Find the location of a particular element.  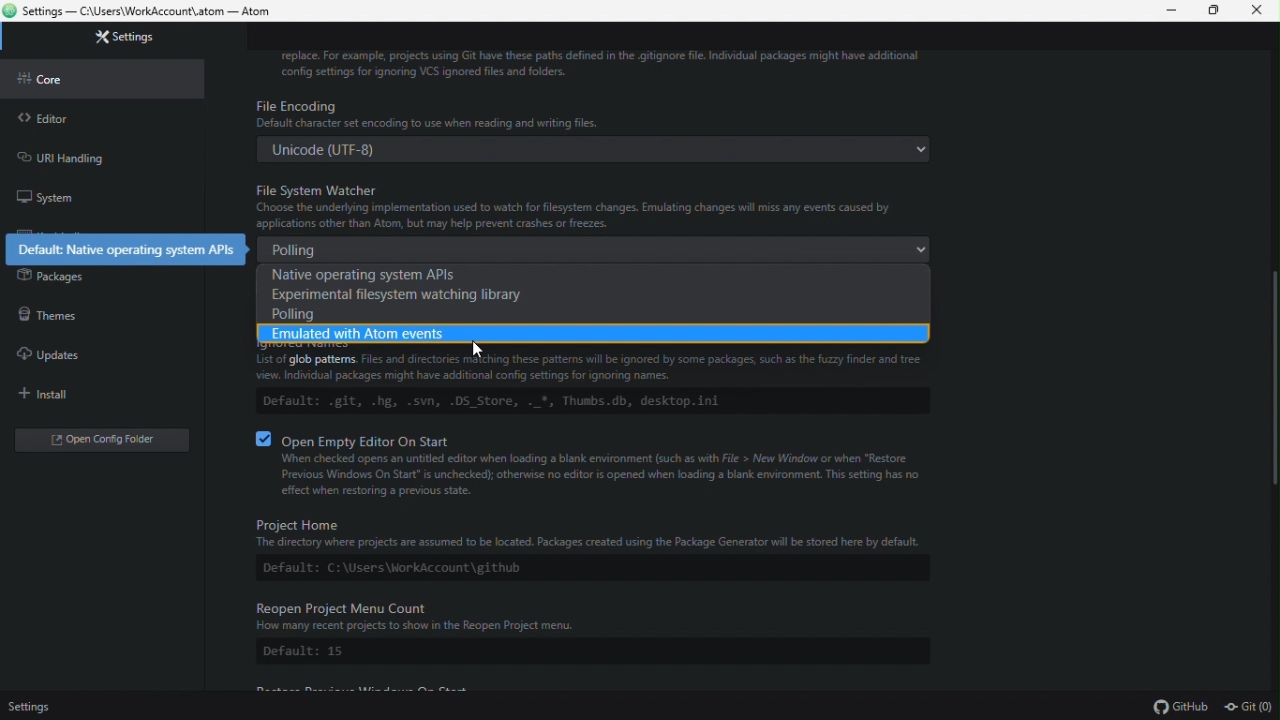

When checked opens an untitled editor when loading a blank environment such as with File > New Window or when "Restore Previous Windows On Start" s unchecked); otherwise no editor  is opened when loading a blank environment. This setting has no effect when restoring a previous state is located at coordinates (592, 475).